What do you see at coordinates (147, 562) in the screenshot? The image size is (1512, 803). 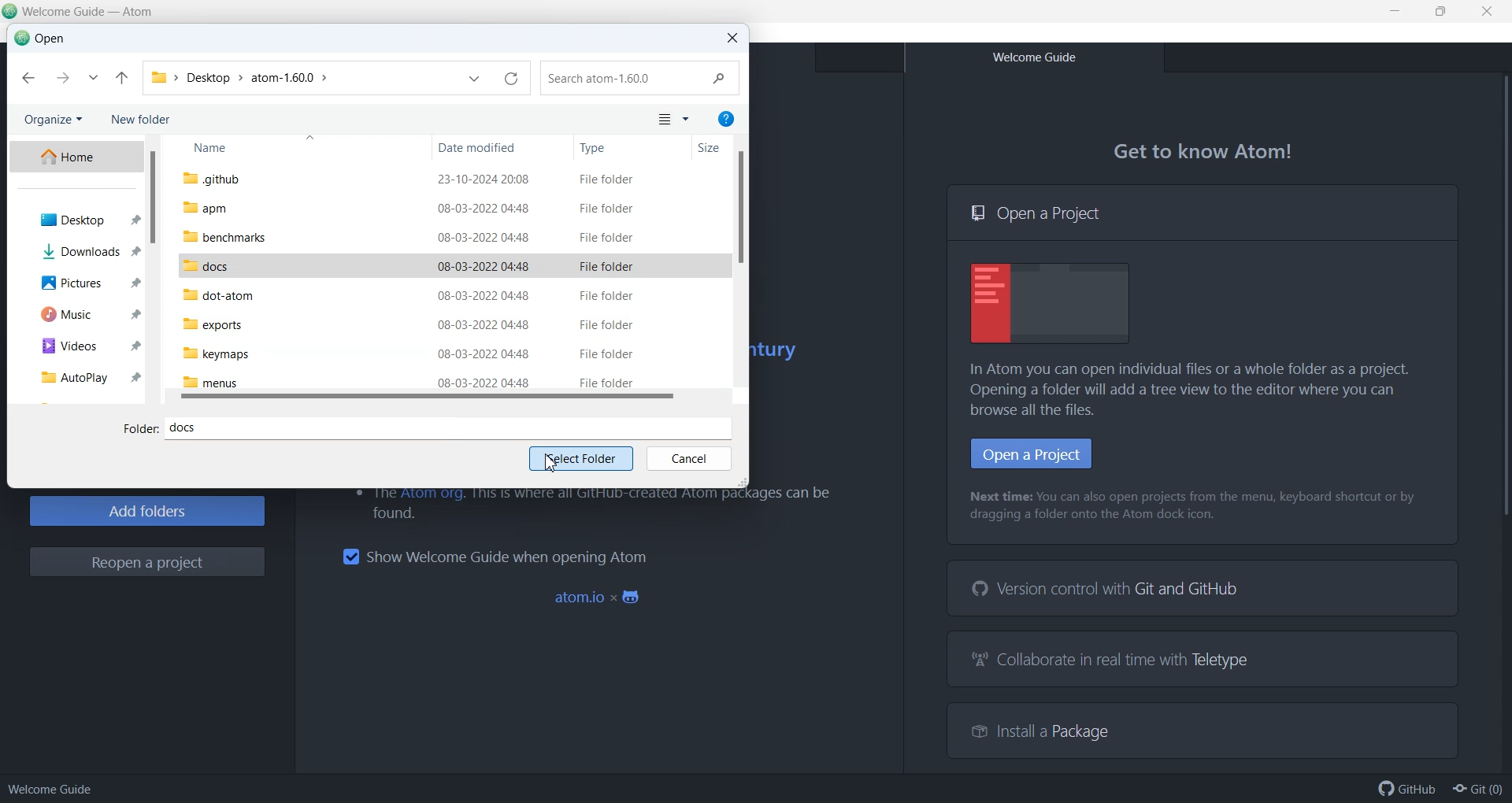 I see `Reopen a project` at bounding box center [147, 562].